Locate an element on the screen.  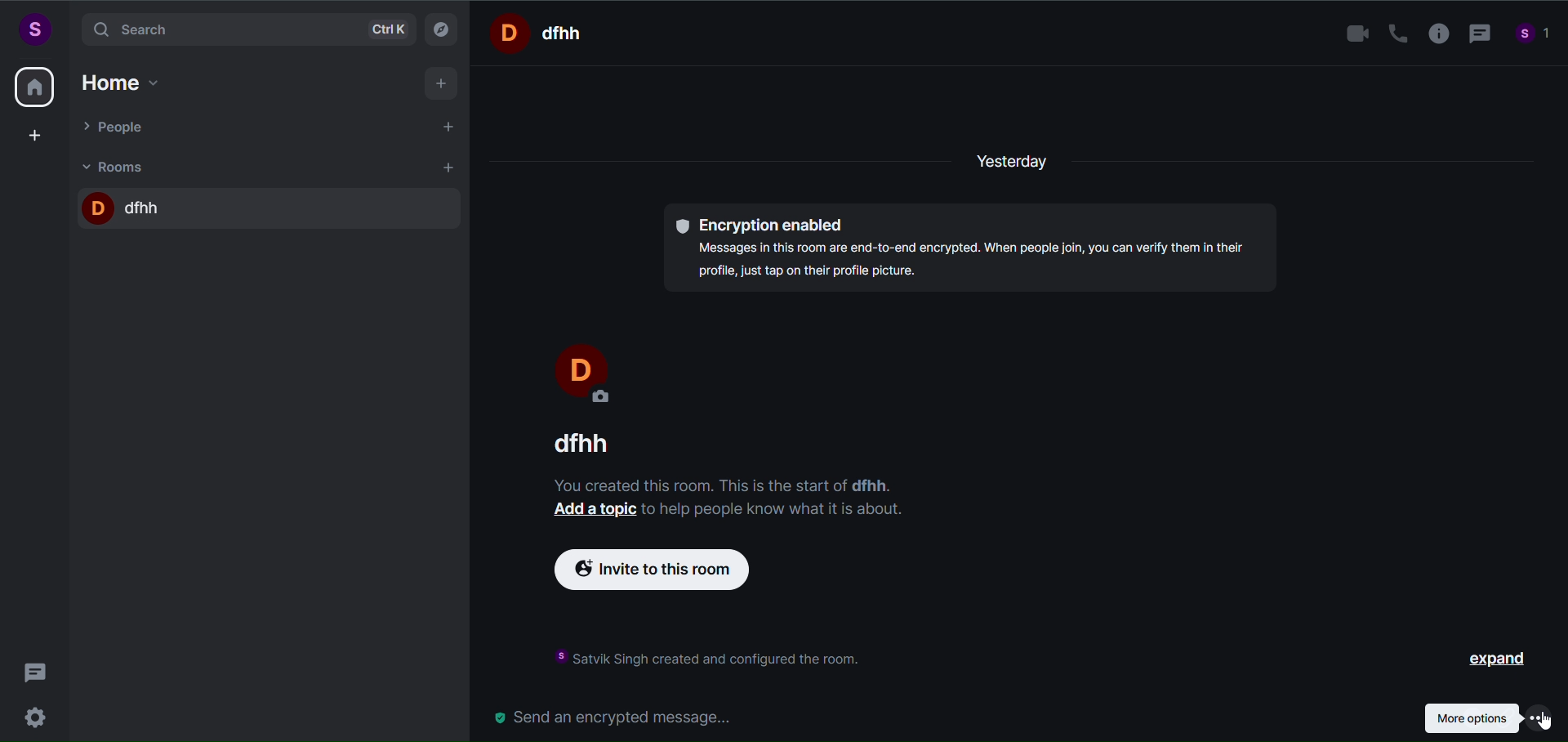
start chat is located at coordinates (450, 128).